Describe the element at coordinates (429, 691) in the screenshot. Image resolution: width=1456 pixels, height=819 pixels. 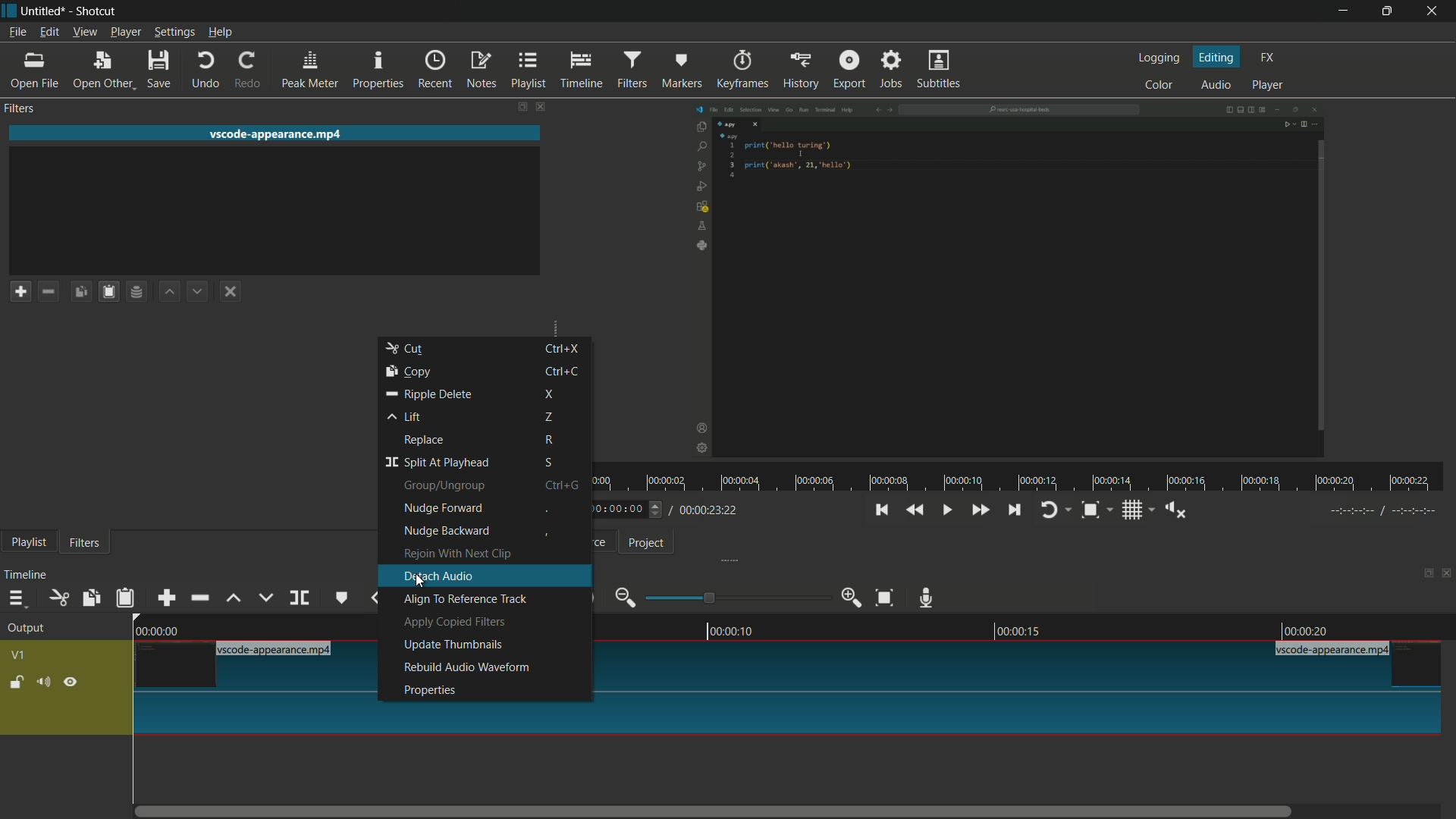
I see `properties` at that location.